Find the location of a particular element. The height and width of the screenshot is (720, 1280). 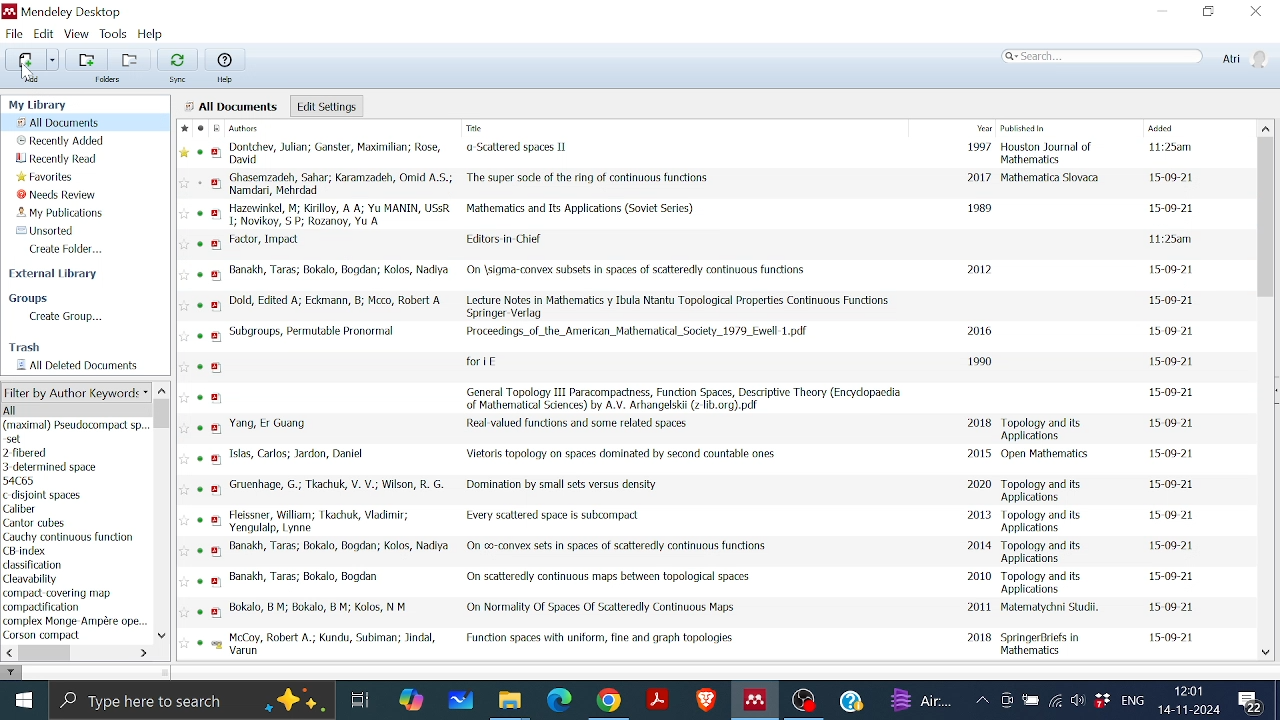

Move down in filter by author keywords is located at coordinates (159, 636).